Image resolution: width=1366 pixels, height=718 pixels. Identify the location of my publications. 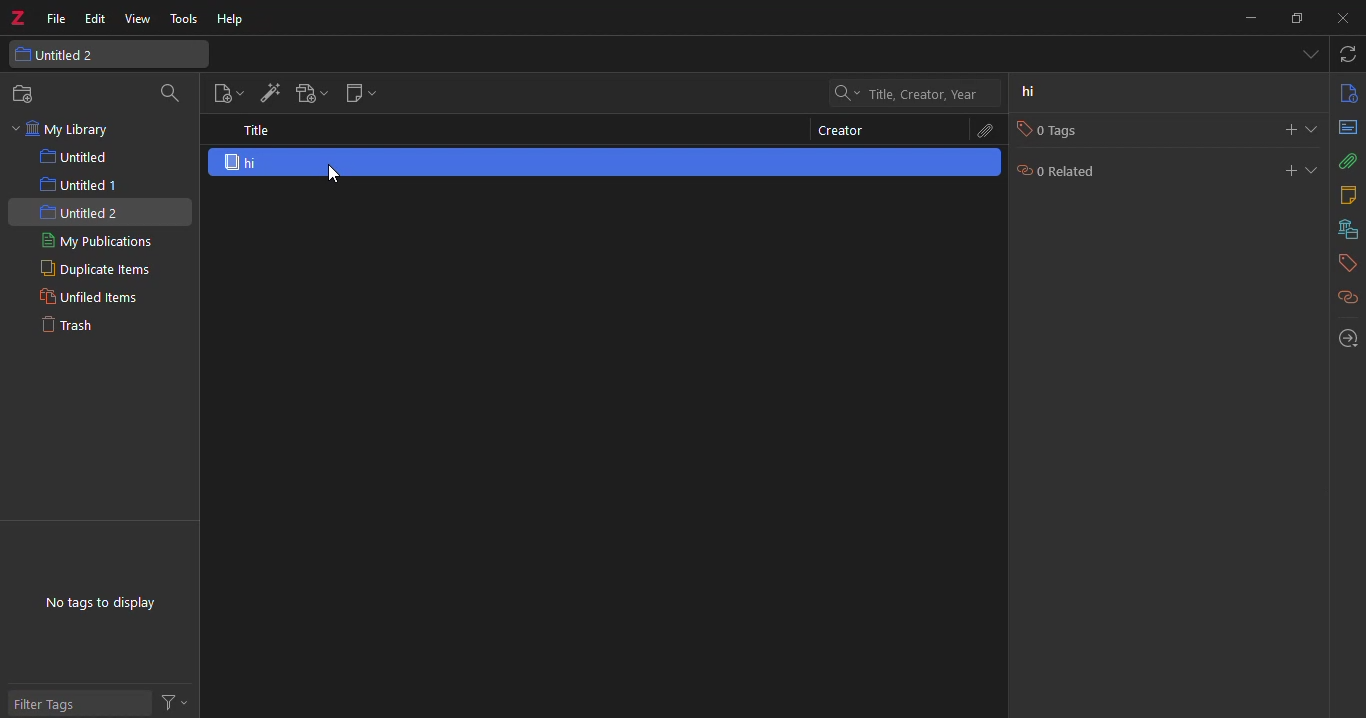
(95, 241).